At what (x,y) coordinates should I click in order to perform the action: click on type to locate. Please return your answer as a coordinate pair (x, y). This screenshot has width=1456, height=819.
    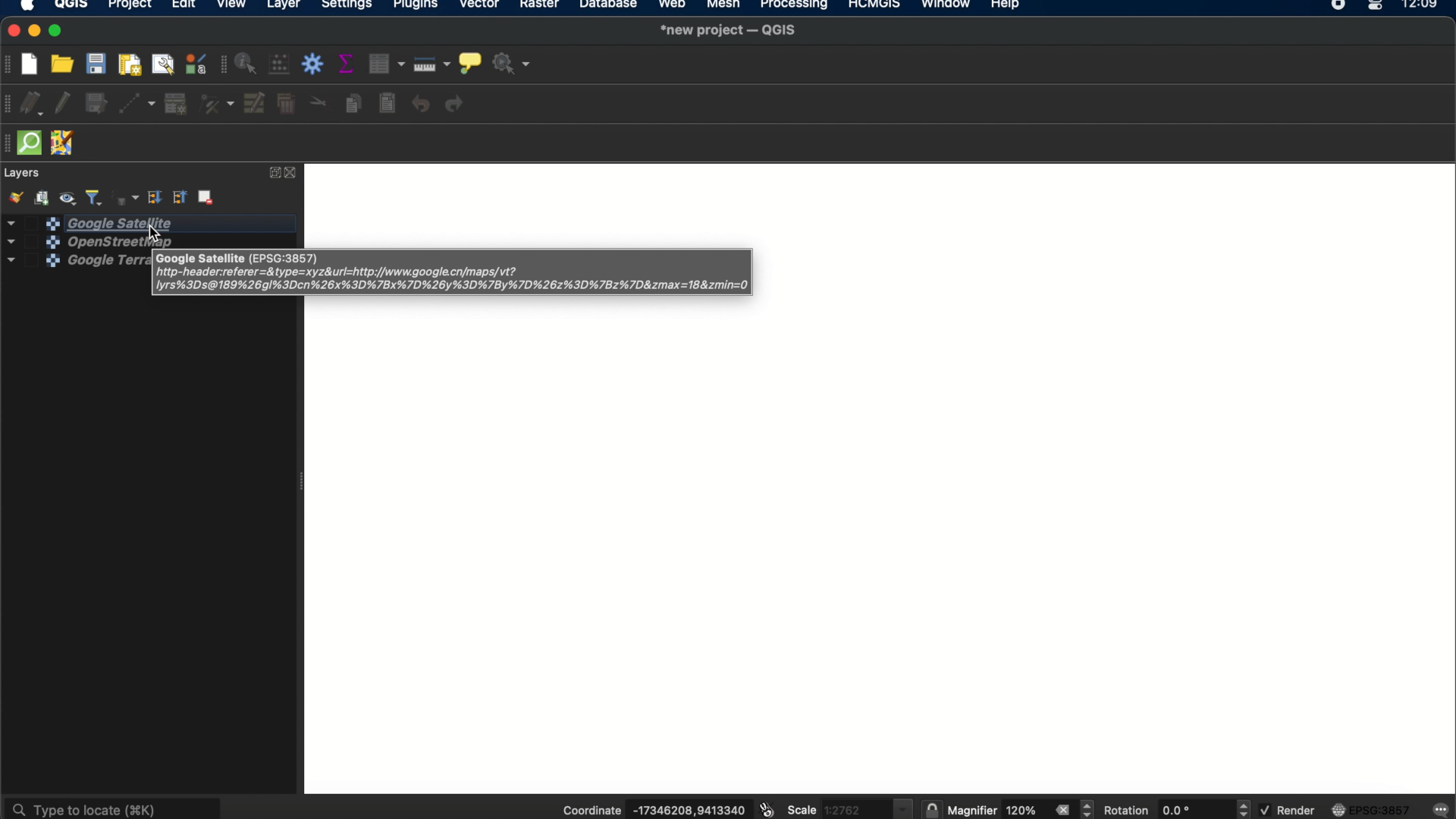
    Looking at the image, I should click on (115, 806).